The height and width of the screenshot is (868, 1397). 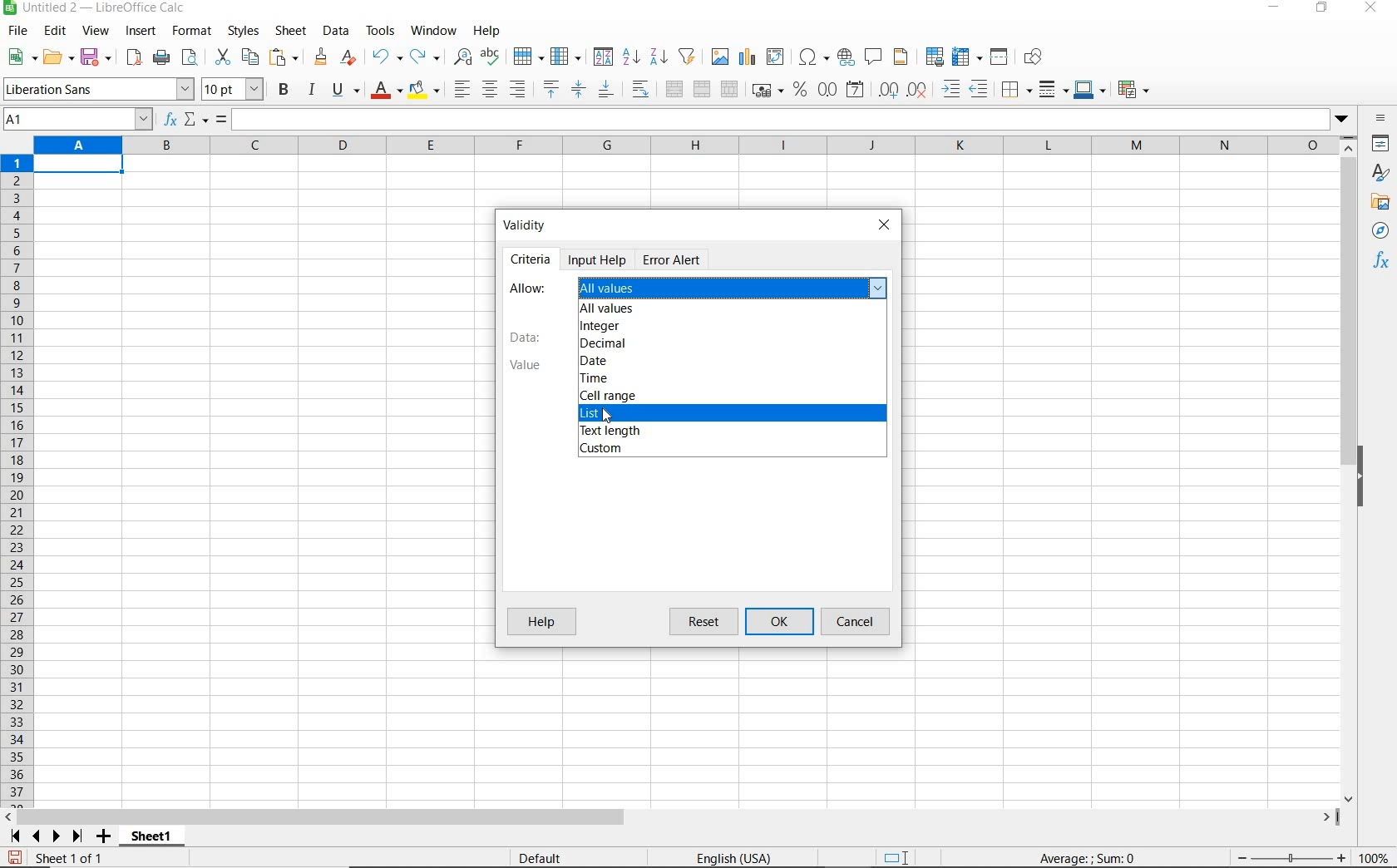 I want to click on cell range, so click(x=607, y=396).